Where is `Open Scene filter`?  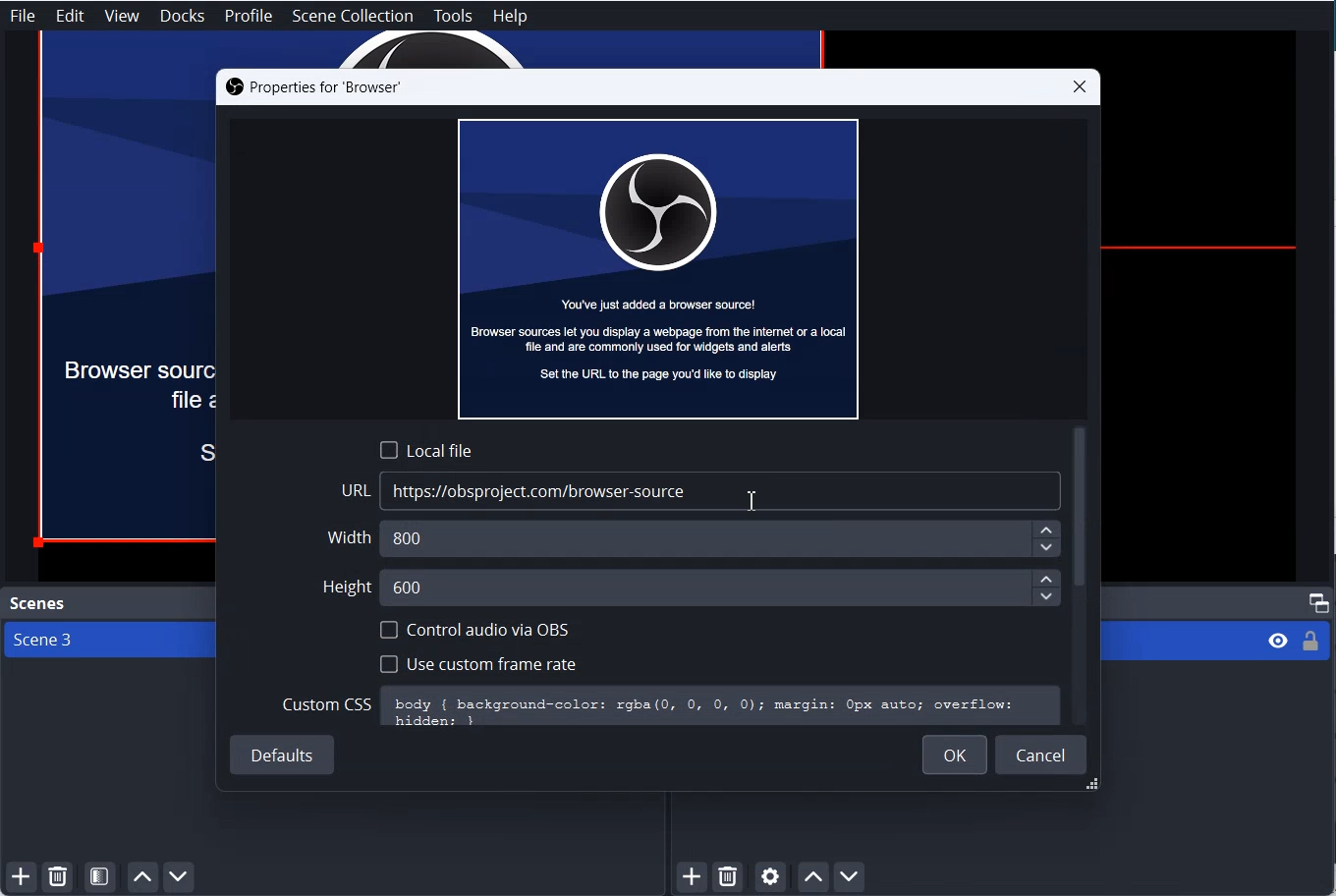
Open Scene filter is located at coordinates (100, 877).